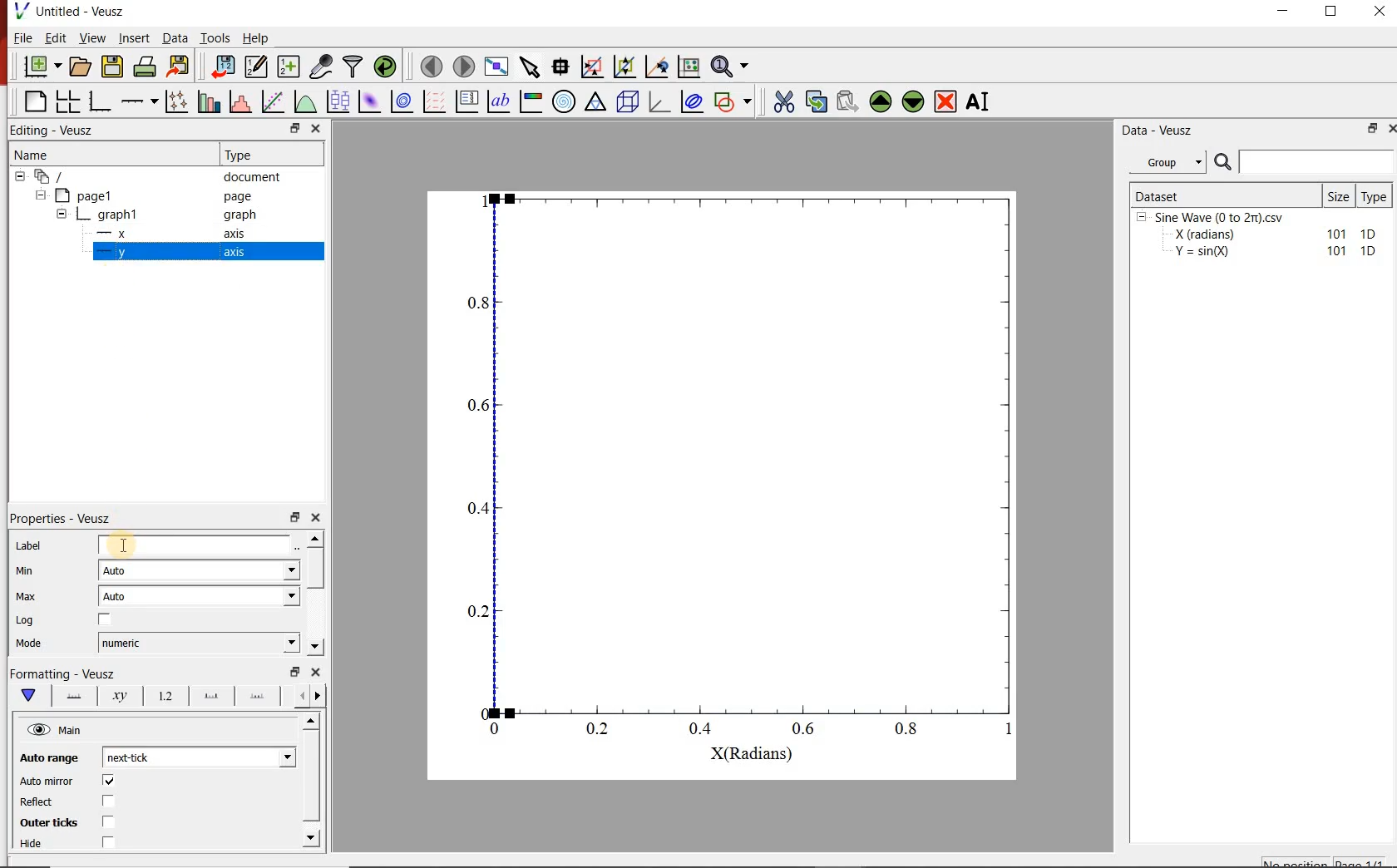  I want to click on Down, so click(313, 837).